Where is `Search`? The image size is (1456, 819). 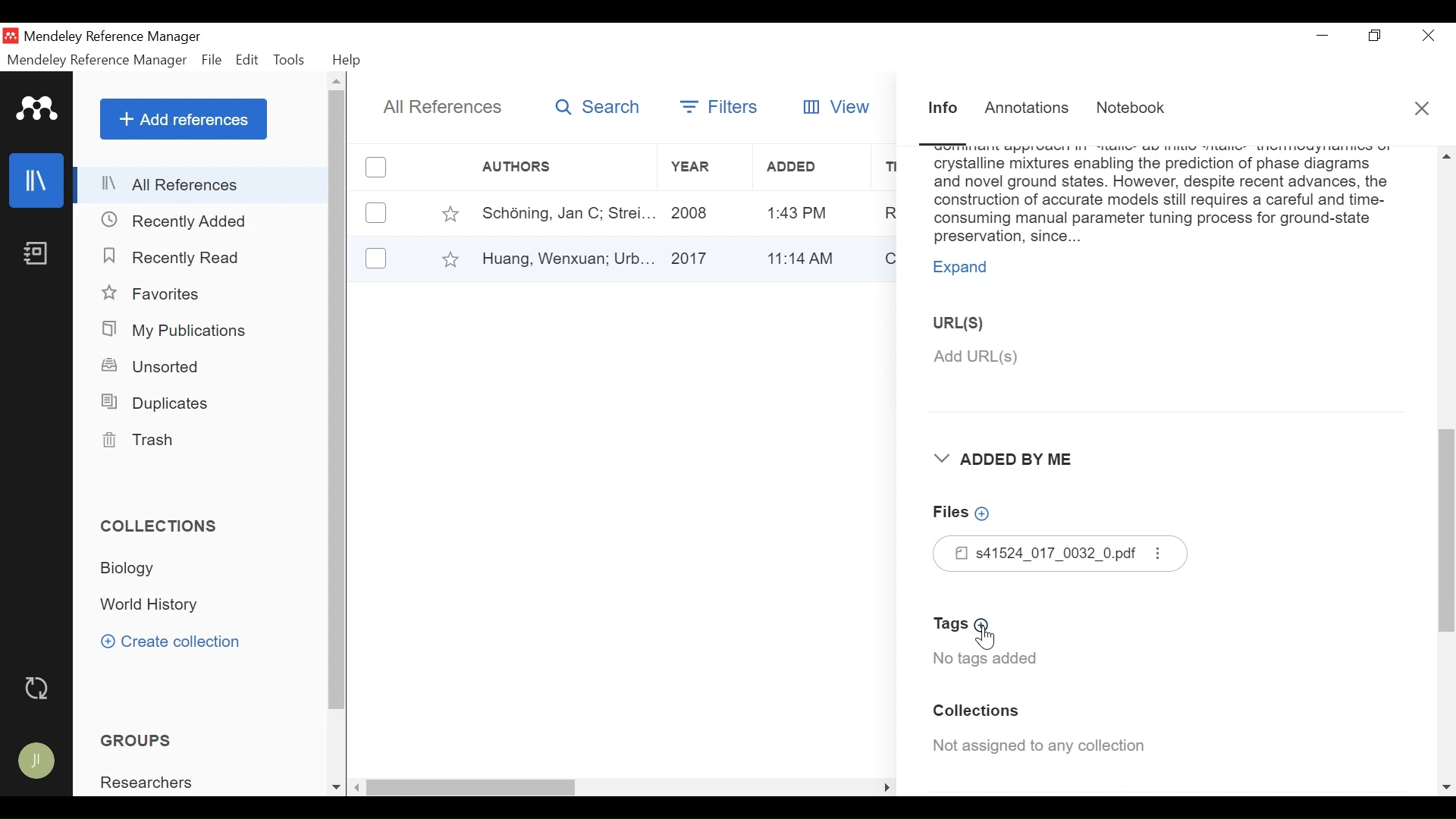
Search is located at coordinates (598, 107).